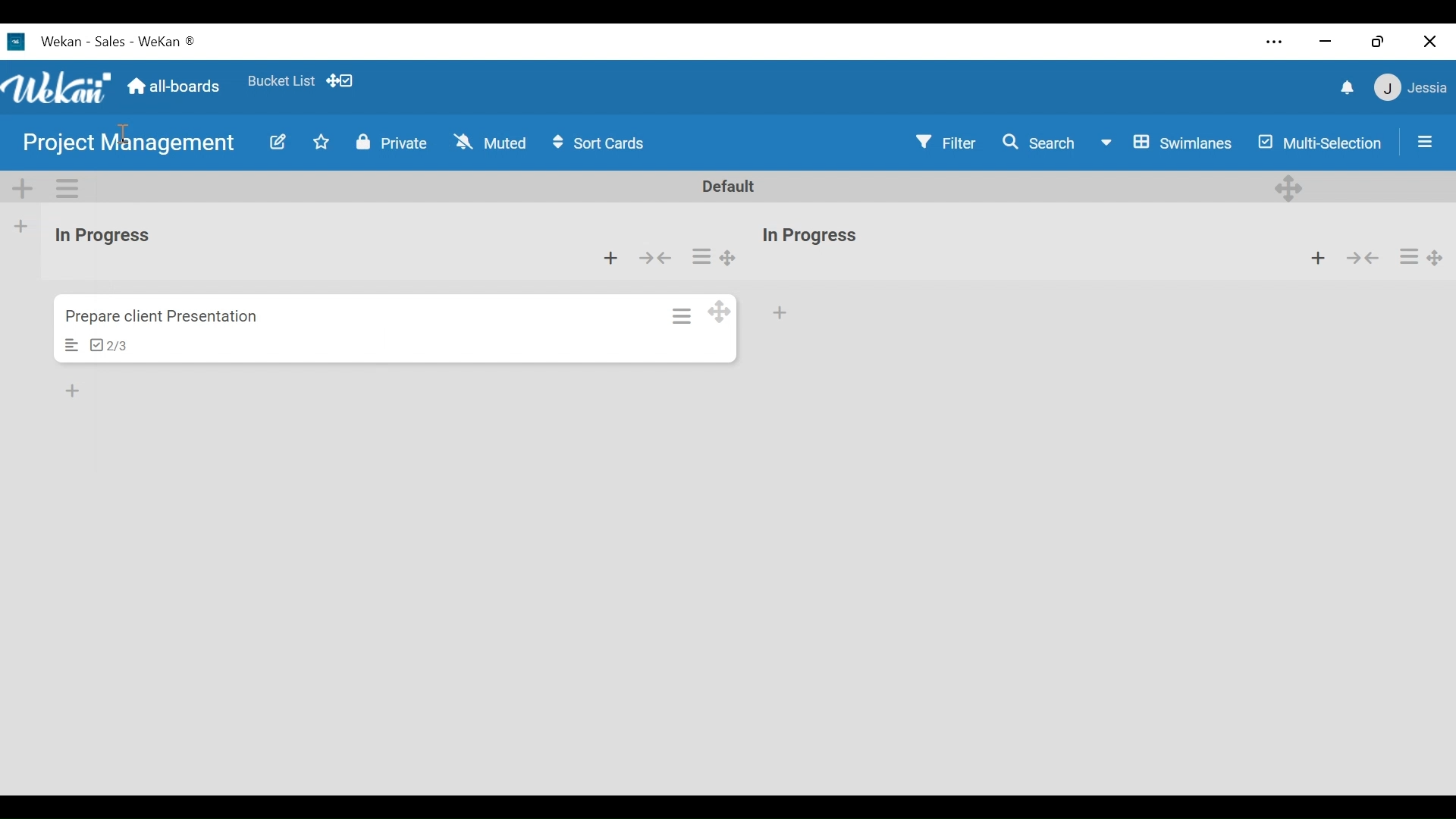 This screenshot has height=819, width=1456. I want to click on Board view, so click(1170, 145).